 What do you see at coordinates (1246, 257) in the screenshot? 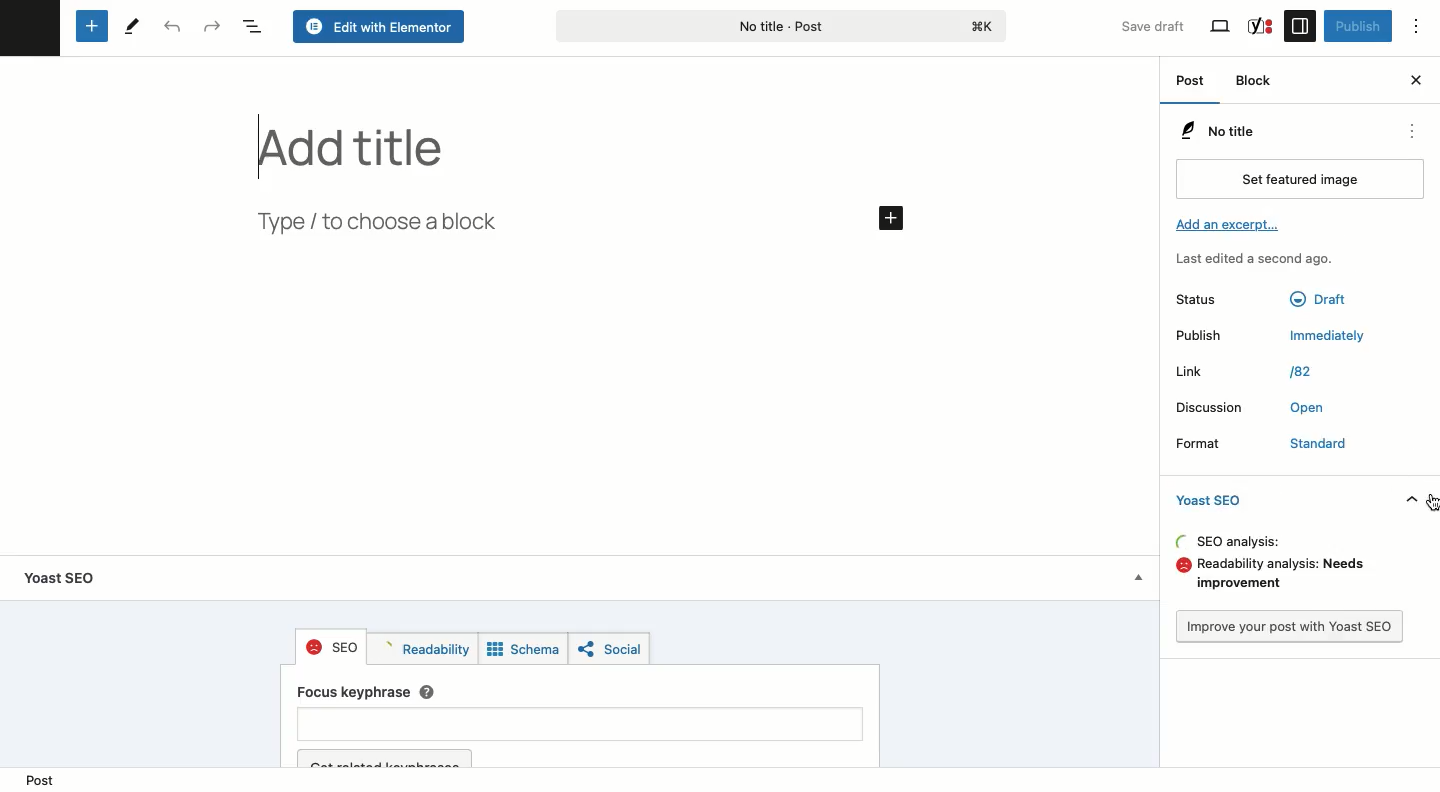
I see `Last edited` at bounding box center [1246, 257].